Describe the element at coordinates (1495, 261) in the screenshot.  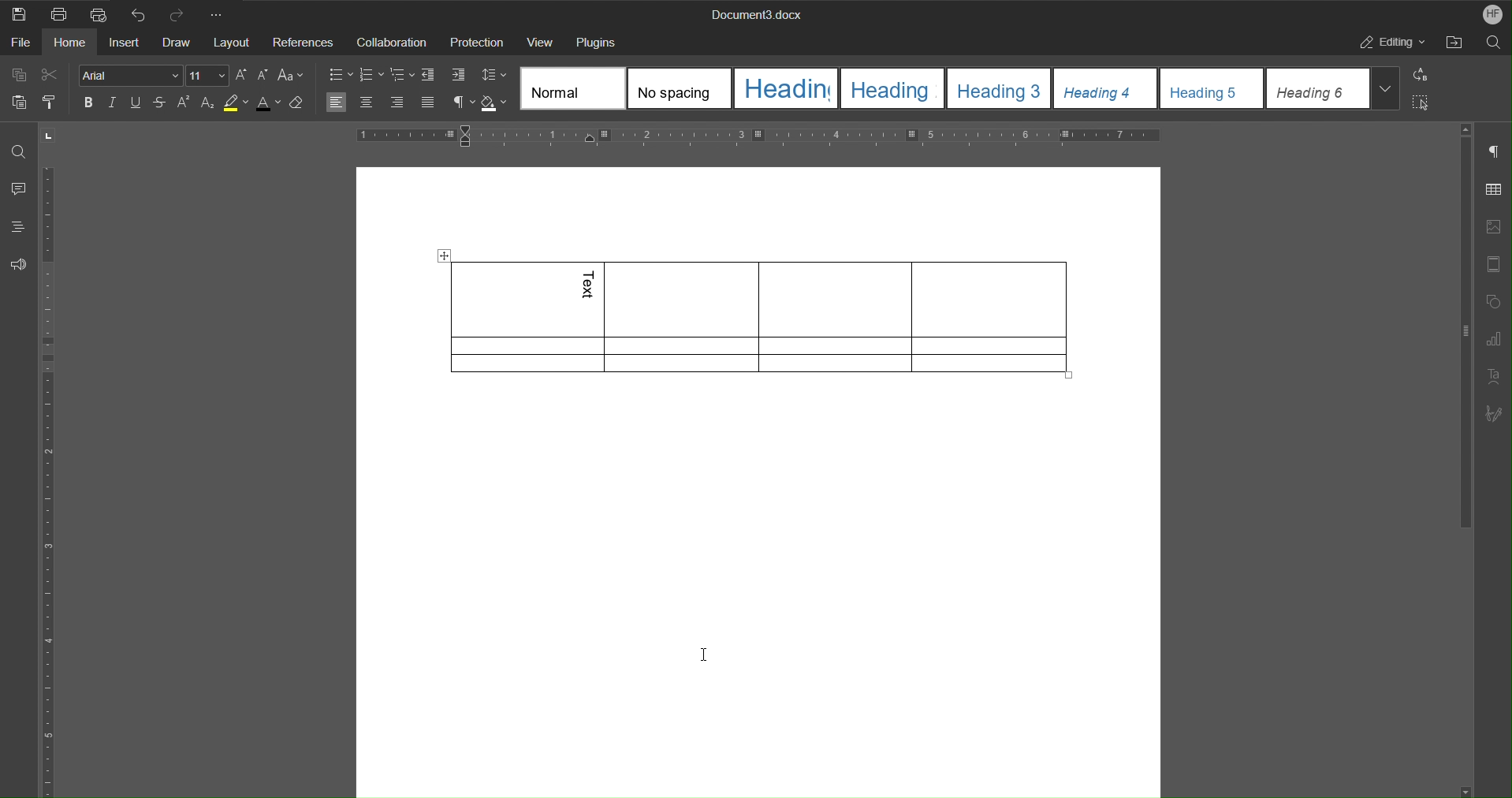
I see `Header/Footer` at that location.